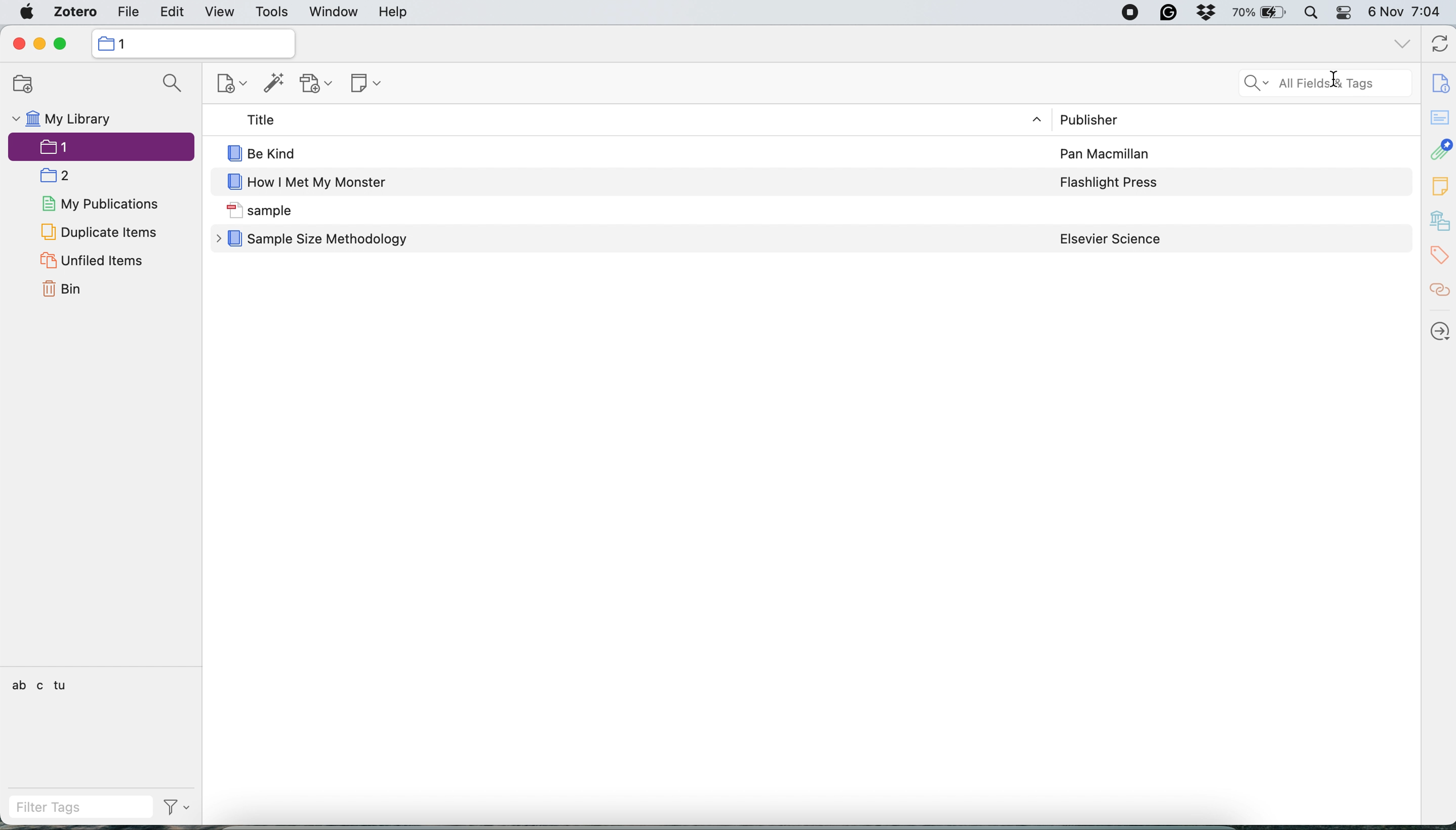 The width and height of the screenshot is (1456, 830). I want to click on edit, so click(172, 13).